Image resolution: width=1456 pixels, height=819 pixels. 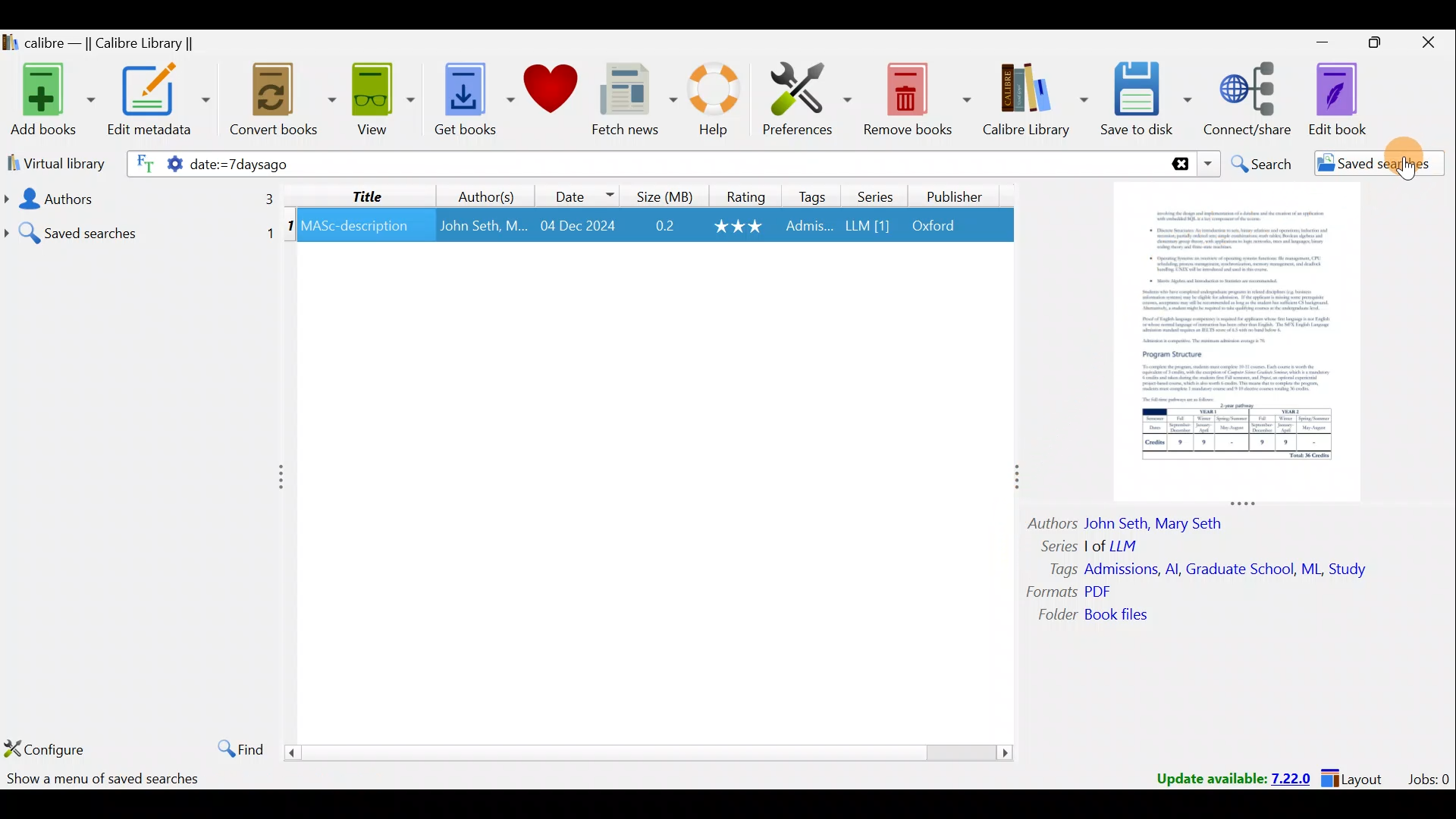 What do you see at coordinates (1350, 99) in the screenshot?
I see `Edit book` at bounding box center [1350, 99].